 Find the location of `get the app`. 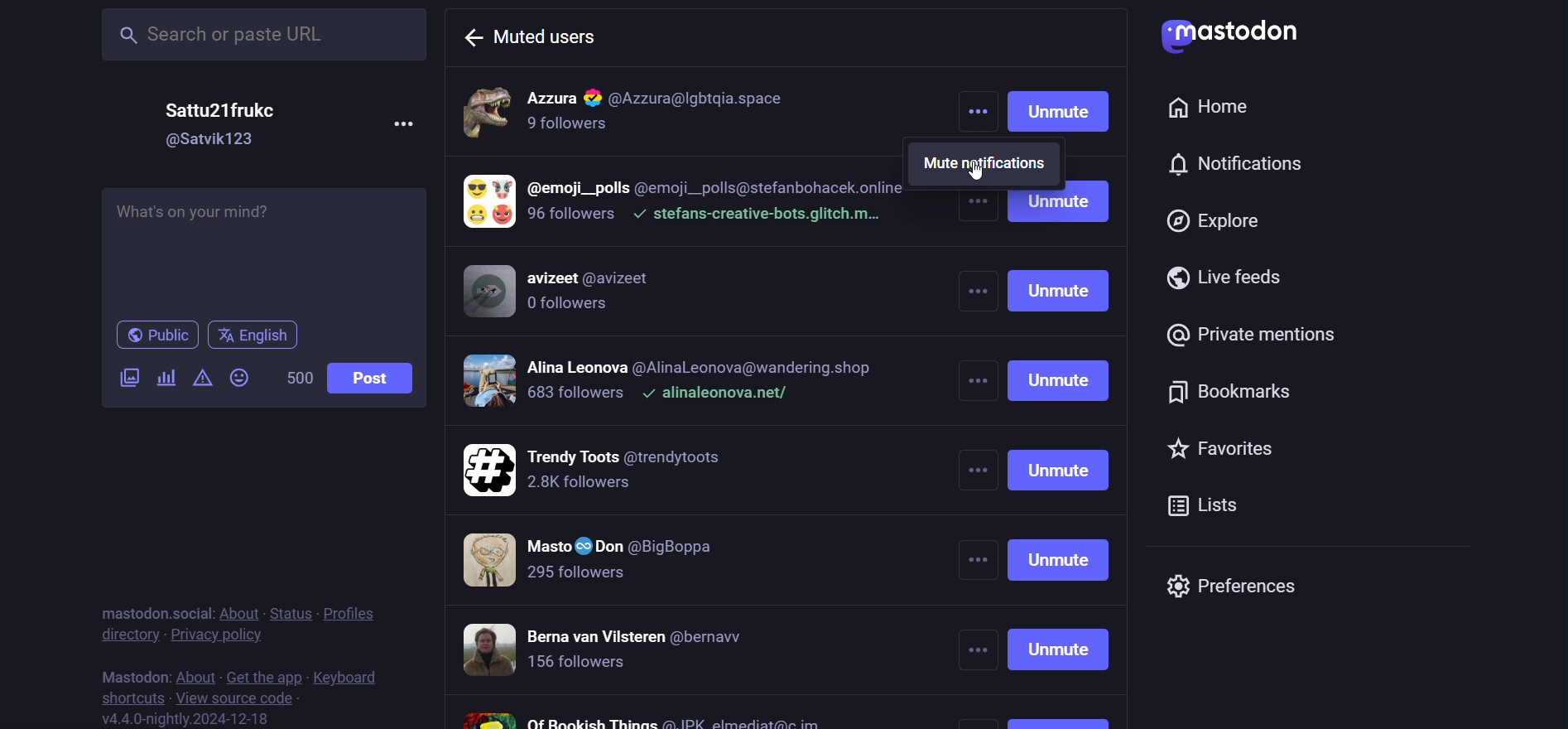

get the app is located at coordinates (263, 673).